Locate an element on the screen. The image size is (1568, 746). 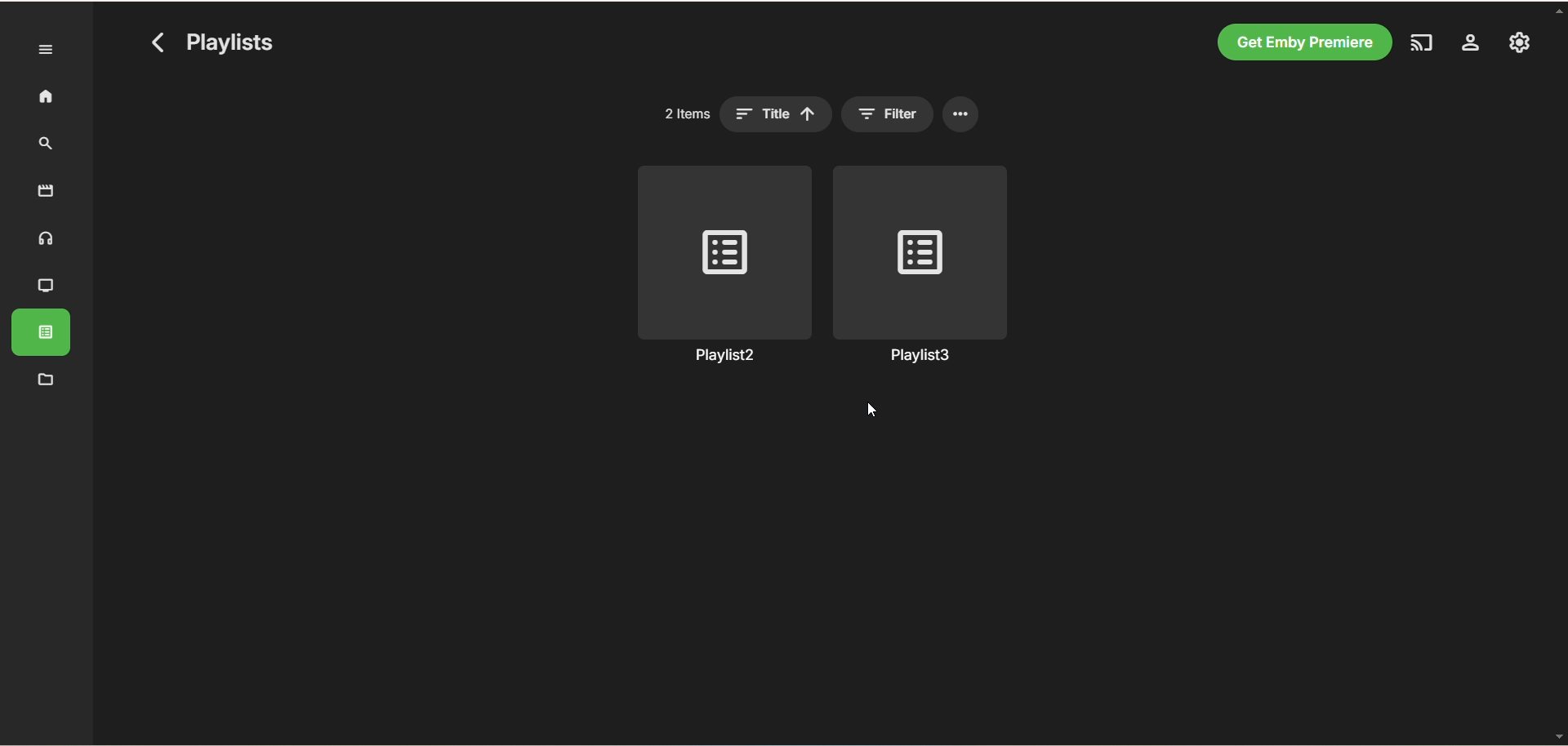
manage emby server is located at coordinates (1521, 44).